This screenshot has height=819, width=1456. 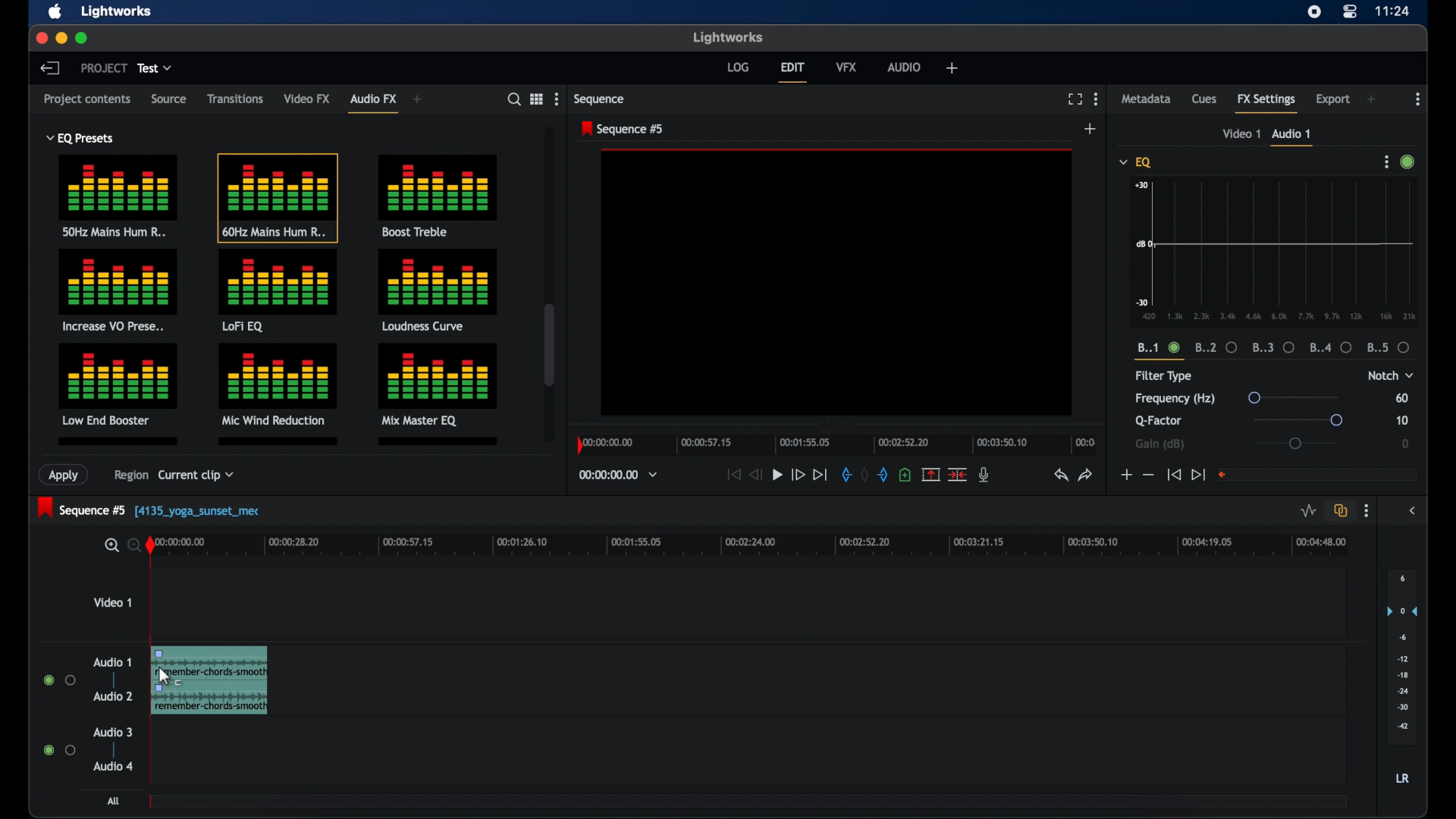 What do you see at coordinates (864, 473) in the screenshot?
I see `clear marks` at bounding box center [864, 473].